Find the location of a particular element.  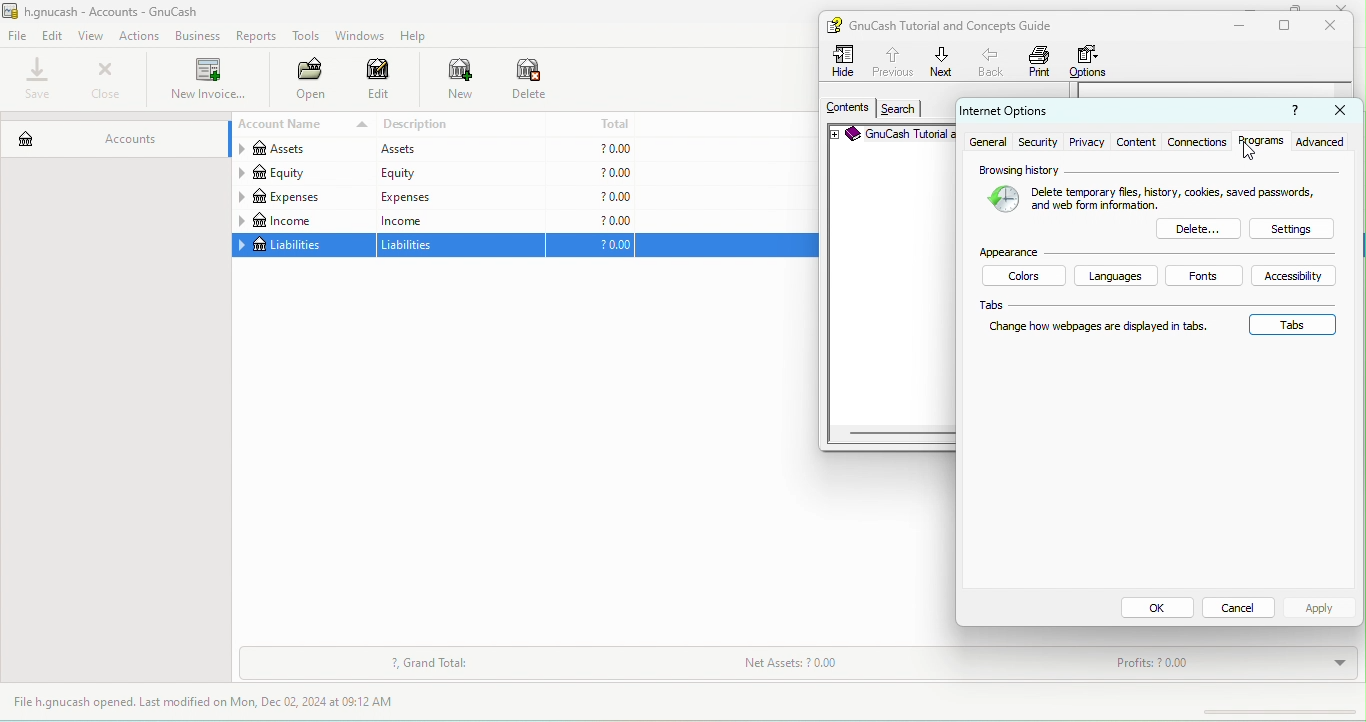

actions is located at coordinates (143, 36).